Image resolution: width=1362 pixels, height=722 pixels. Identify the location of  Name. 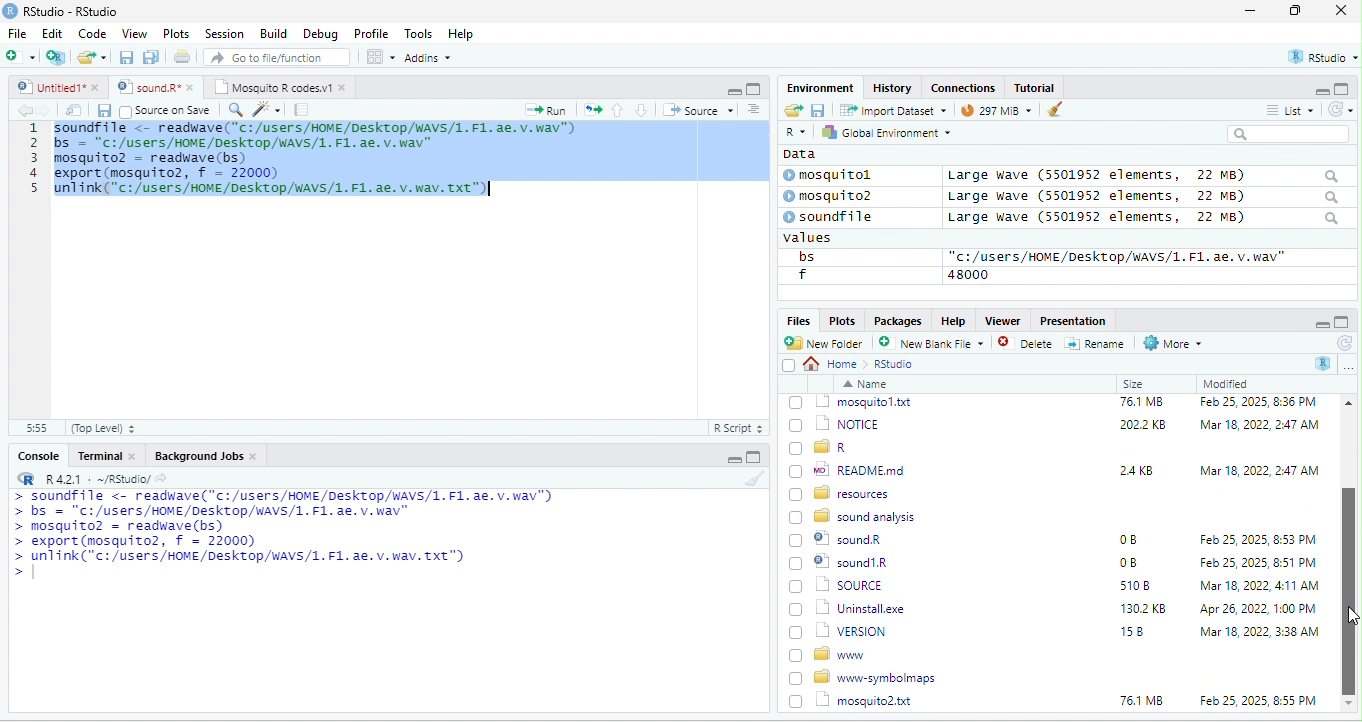
(869, 386).